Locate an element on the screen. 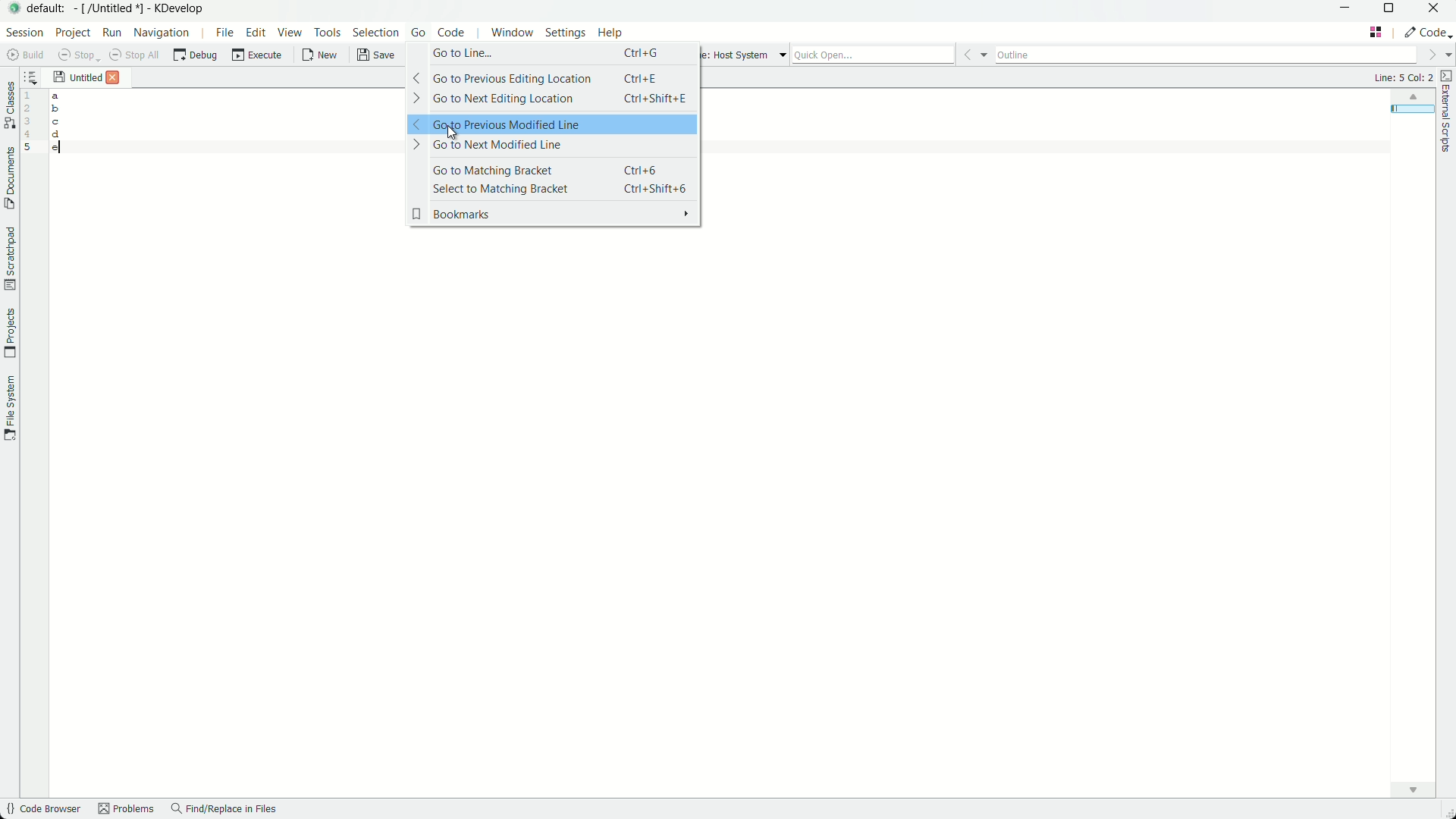 The width and height of the screenshot is (1456, 819). file is located at coordinates (221, 33).